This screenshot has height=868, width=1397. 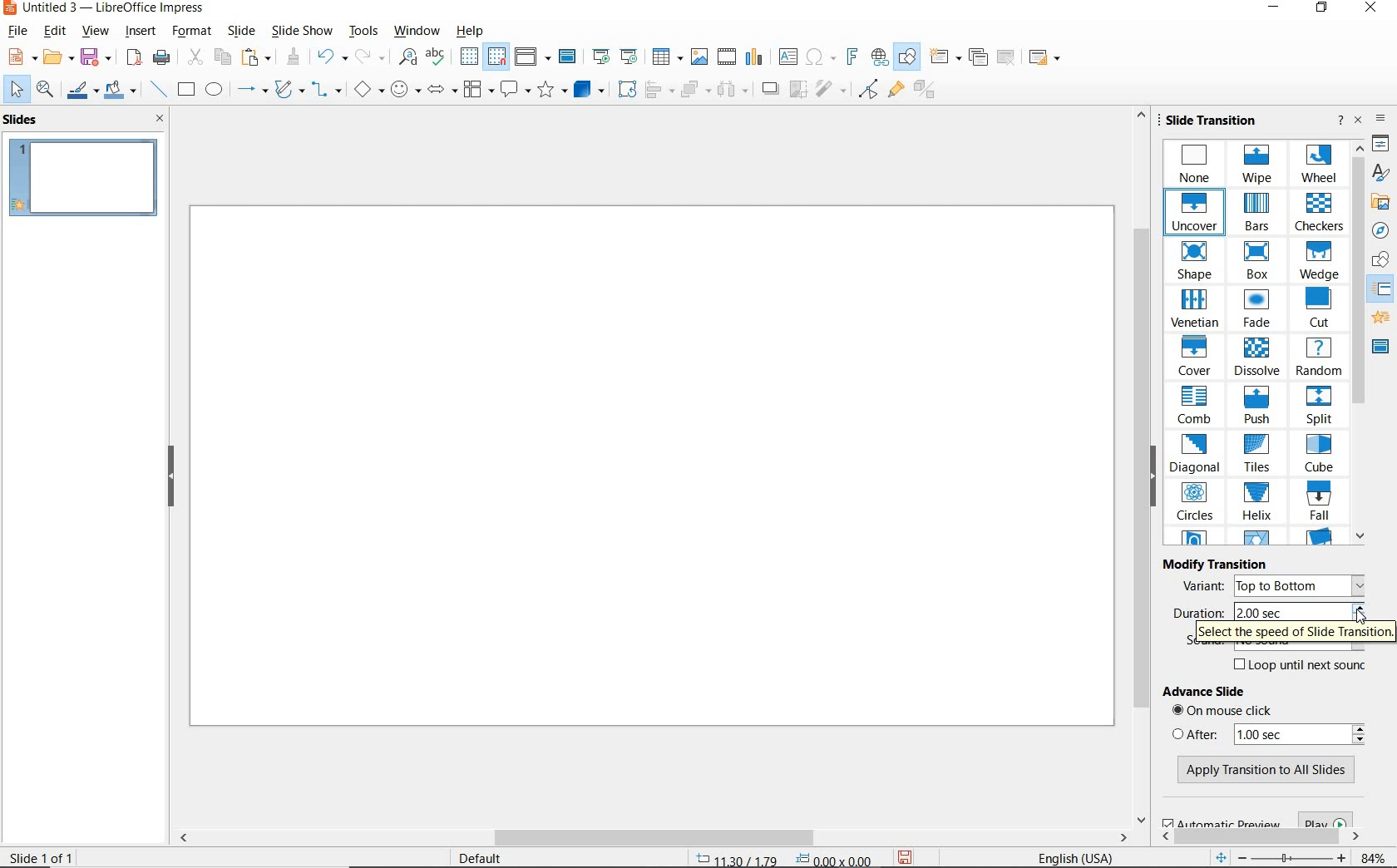 I want to click on SCROLLBAR, so click(x=1359, y=343).